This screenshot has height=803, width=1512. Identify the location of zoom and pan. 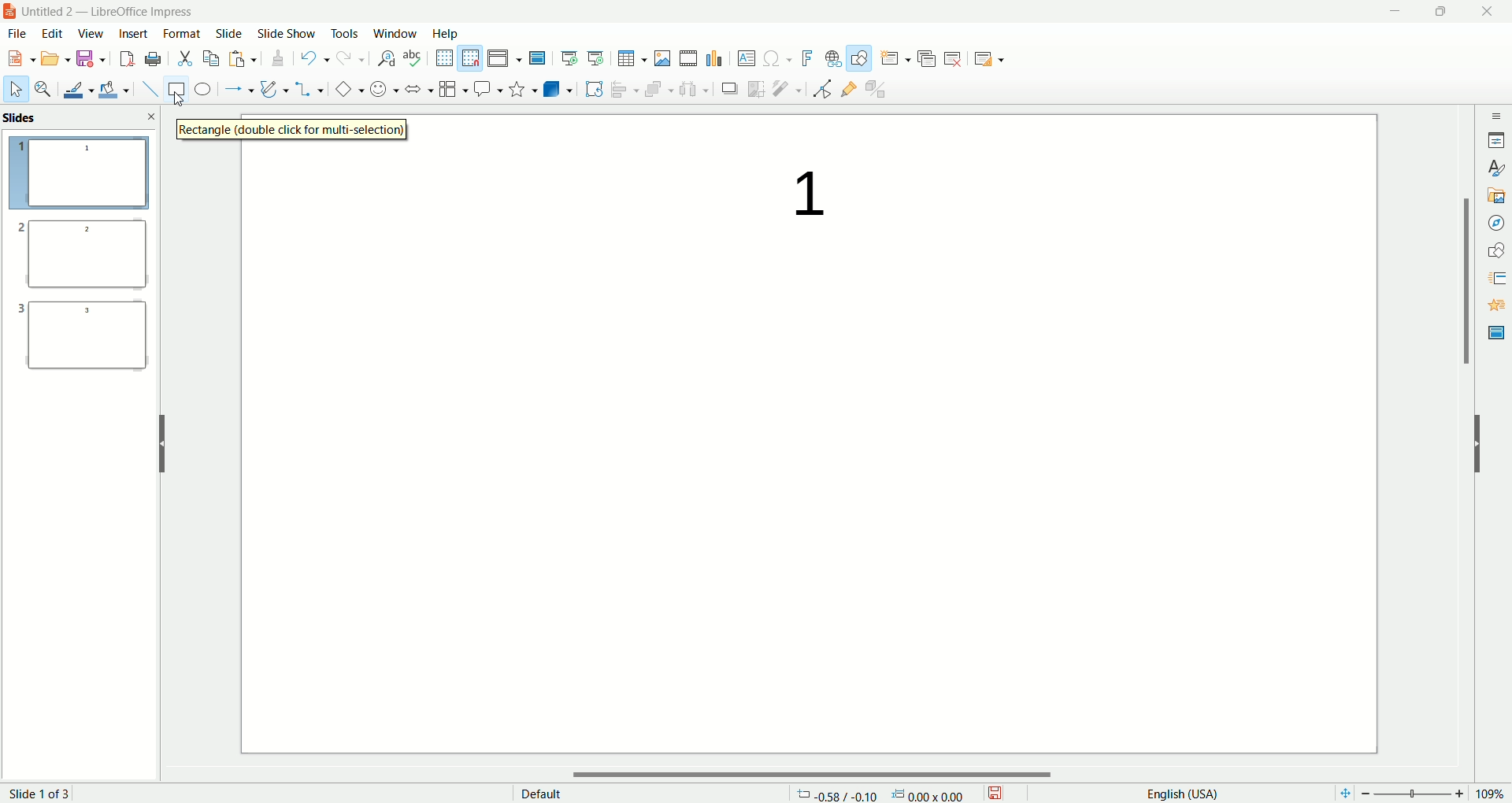
(42, 90).